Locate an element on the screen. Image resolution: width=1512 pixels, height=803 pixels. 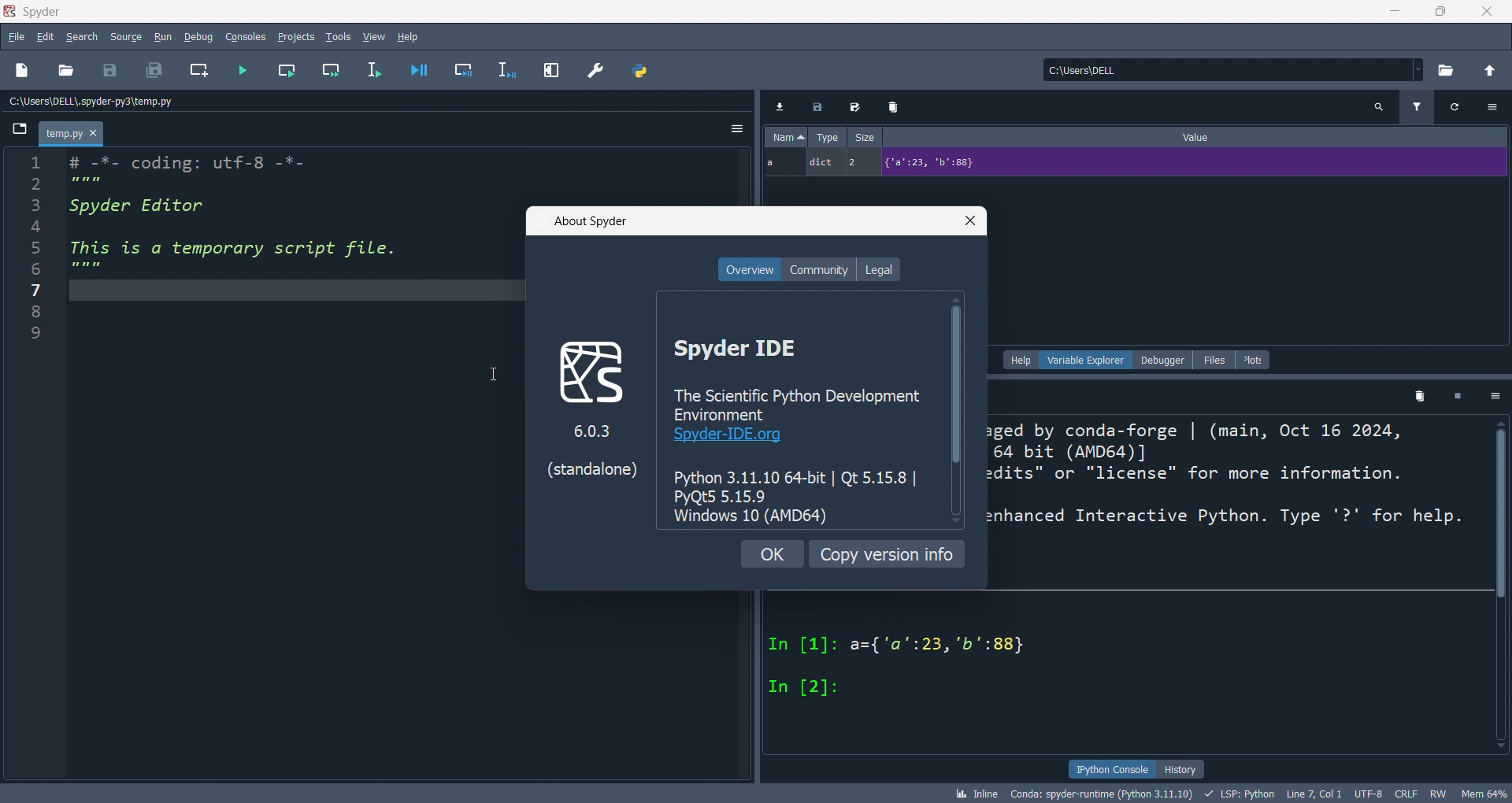
Name is located at coordinates (786, 136).